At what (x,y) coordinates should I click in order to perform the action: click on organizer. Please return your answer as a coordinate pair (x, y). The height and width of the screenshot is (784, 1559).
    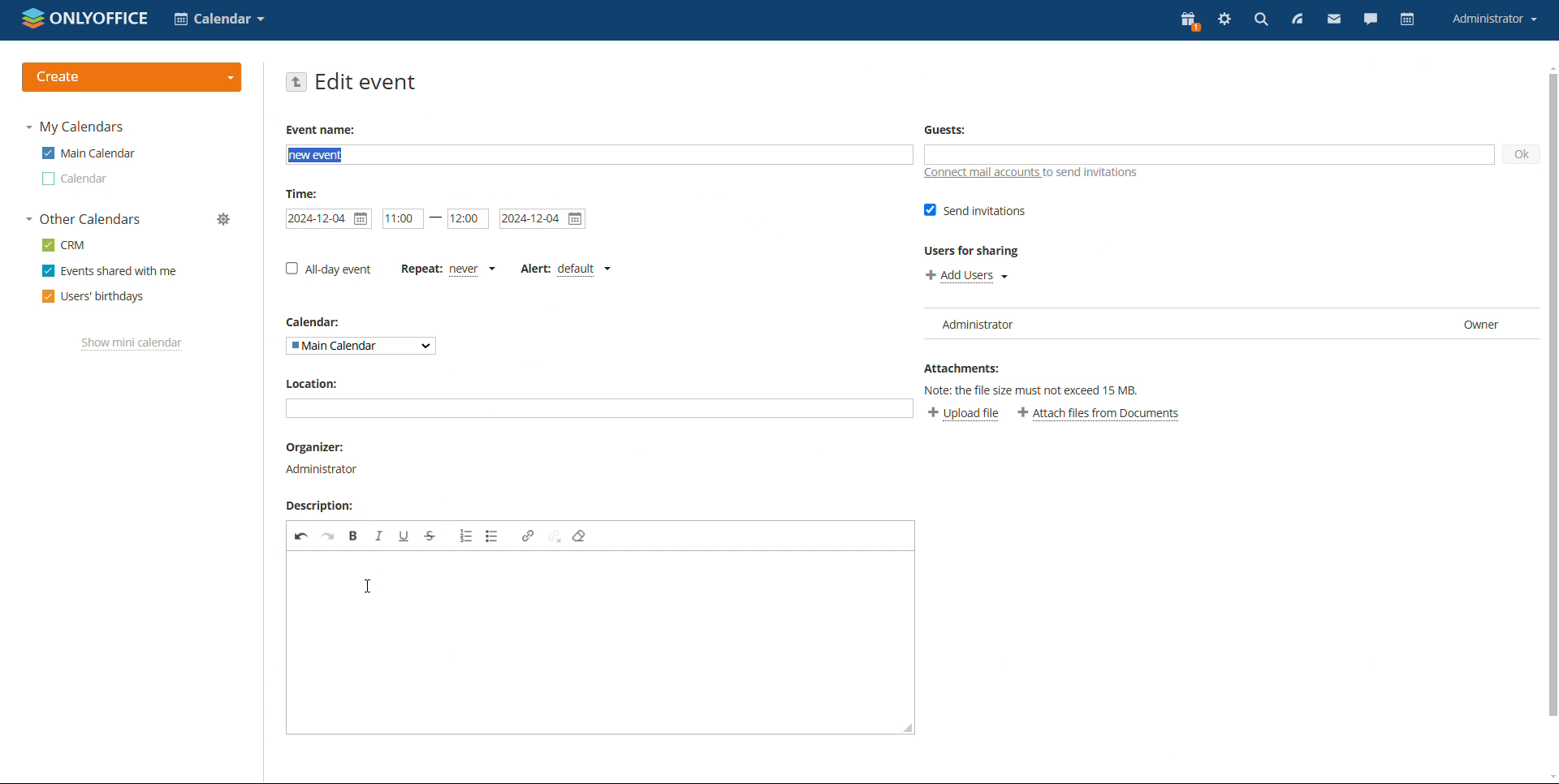
    Looking at the image, I should click on (323, 459).